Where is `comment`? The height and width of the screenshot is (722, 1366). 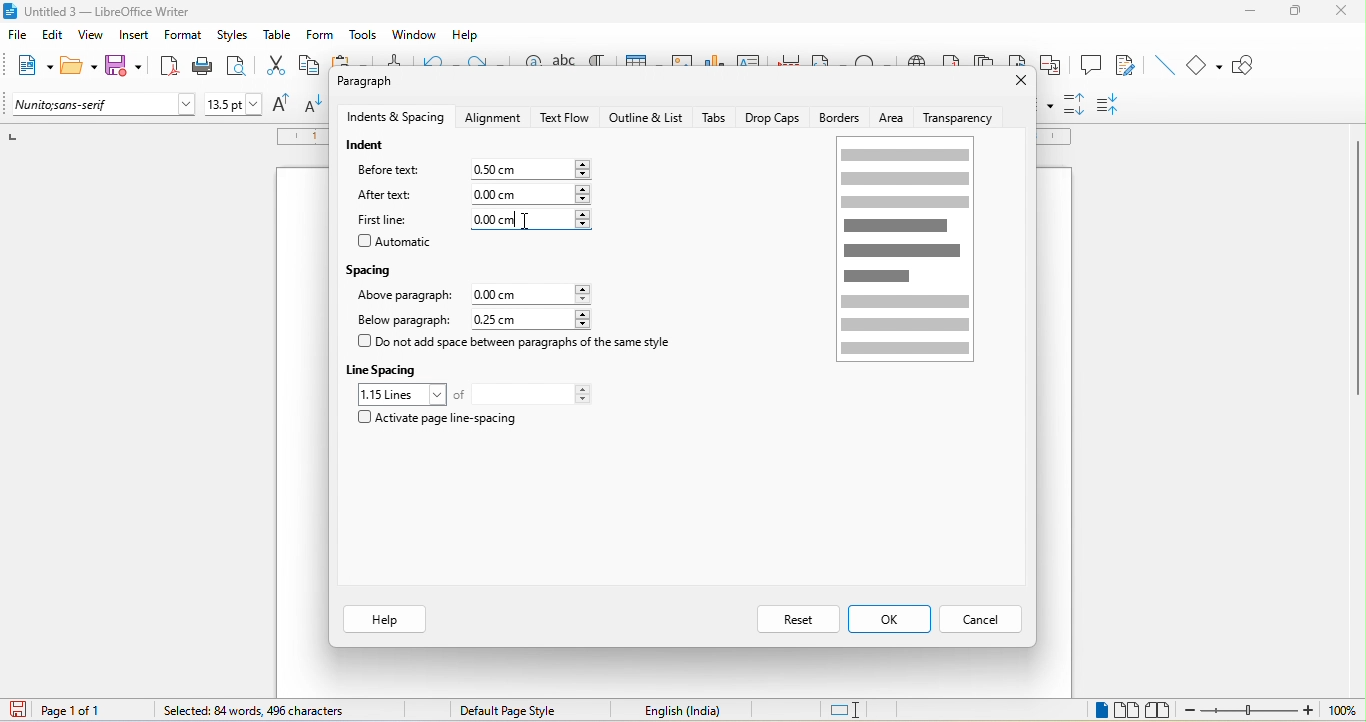 comment is located at coordinates (1091, 63).